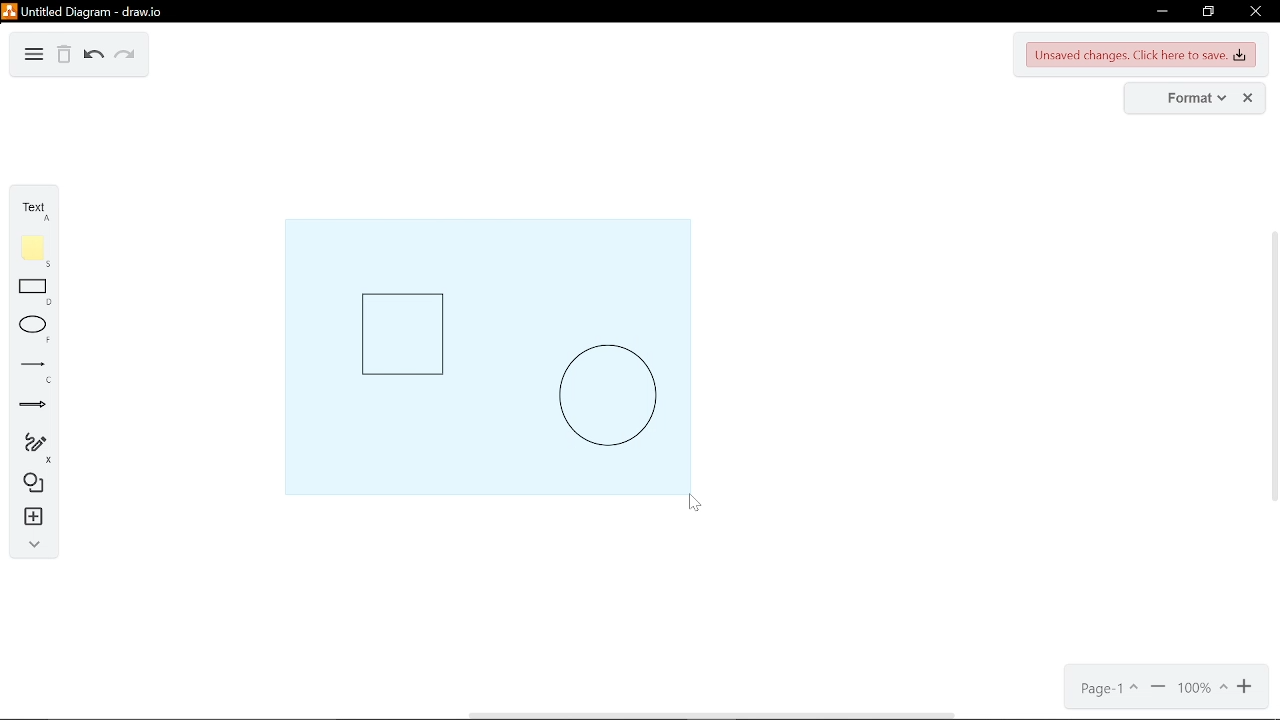 This screenshot has width=1280, height=720. I want to click on untitled diagram - draw.io, so click(94, 10).